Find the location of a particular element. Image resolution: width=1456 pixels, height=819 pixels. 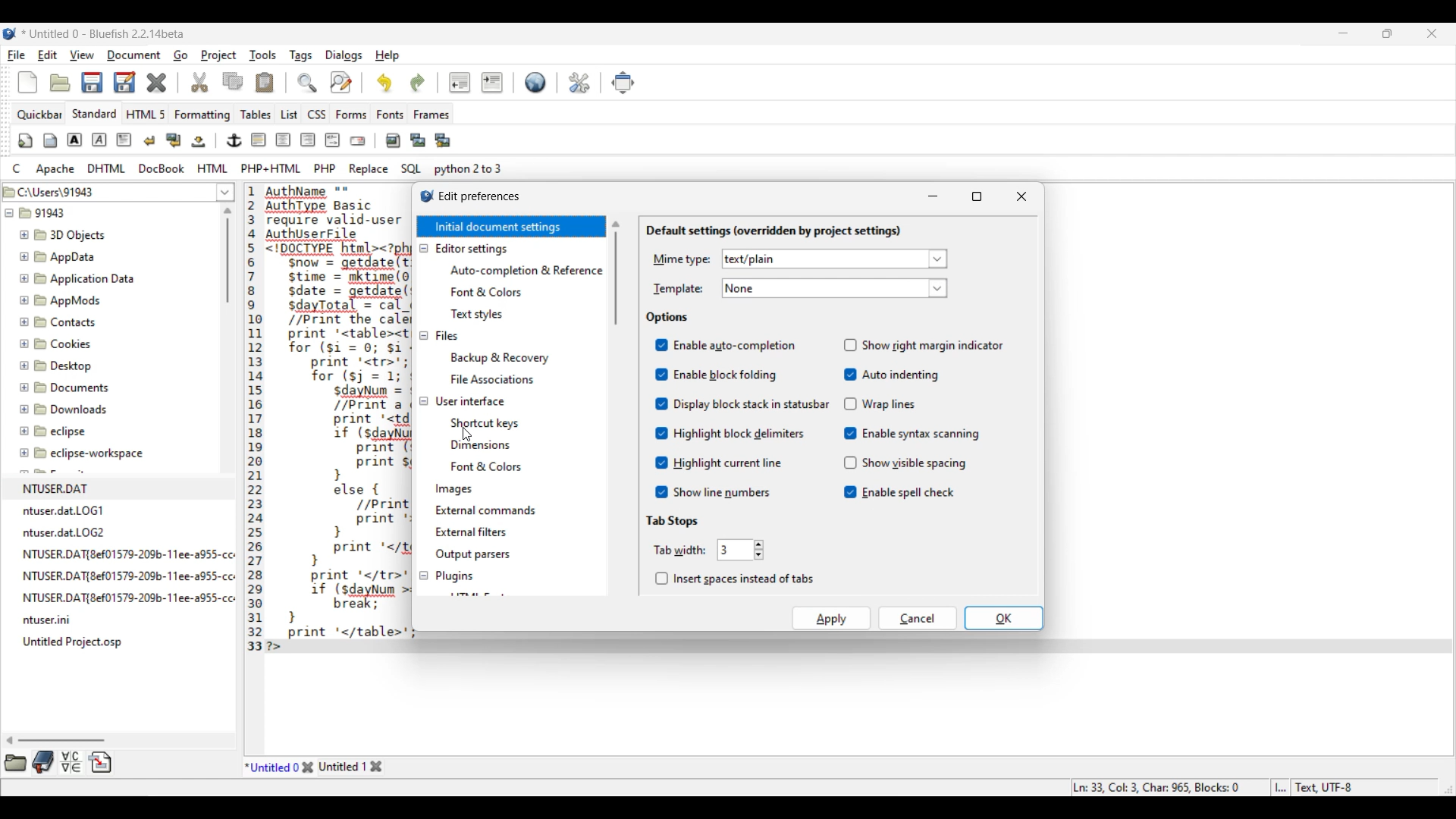

Close is located at coordinates (308, 767).